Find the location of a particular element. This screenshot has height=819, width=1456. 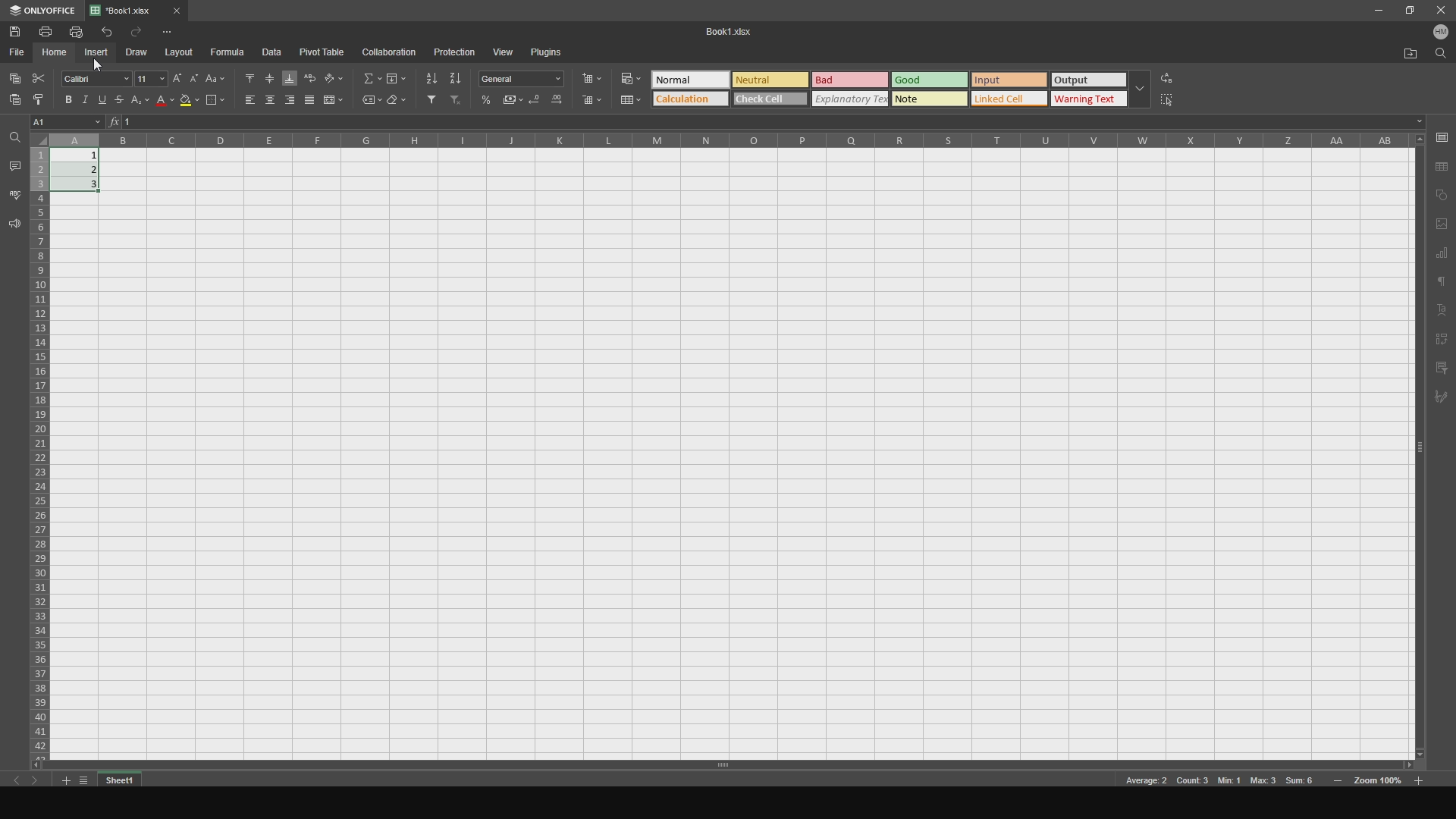

clear is located at coordinates (398, 102).